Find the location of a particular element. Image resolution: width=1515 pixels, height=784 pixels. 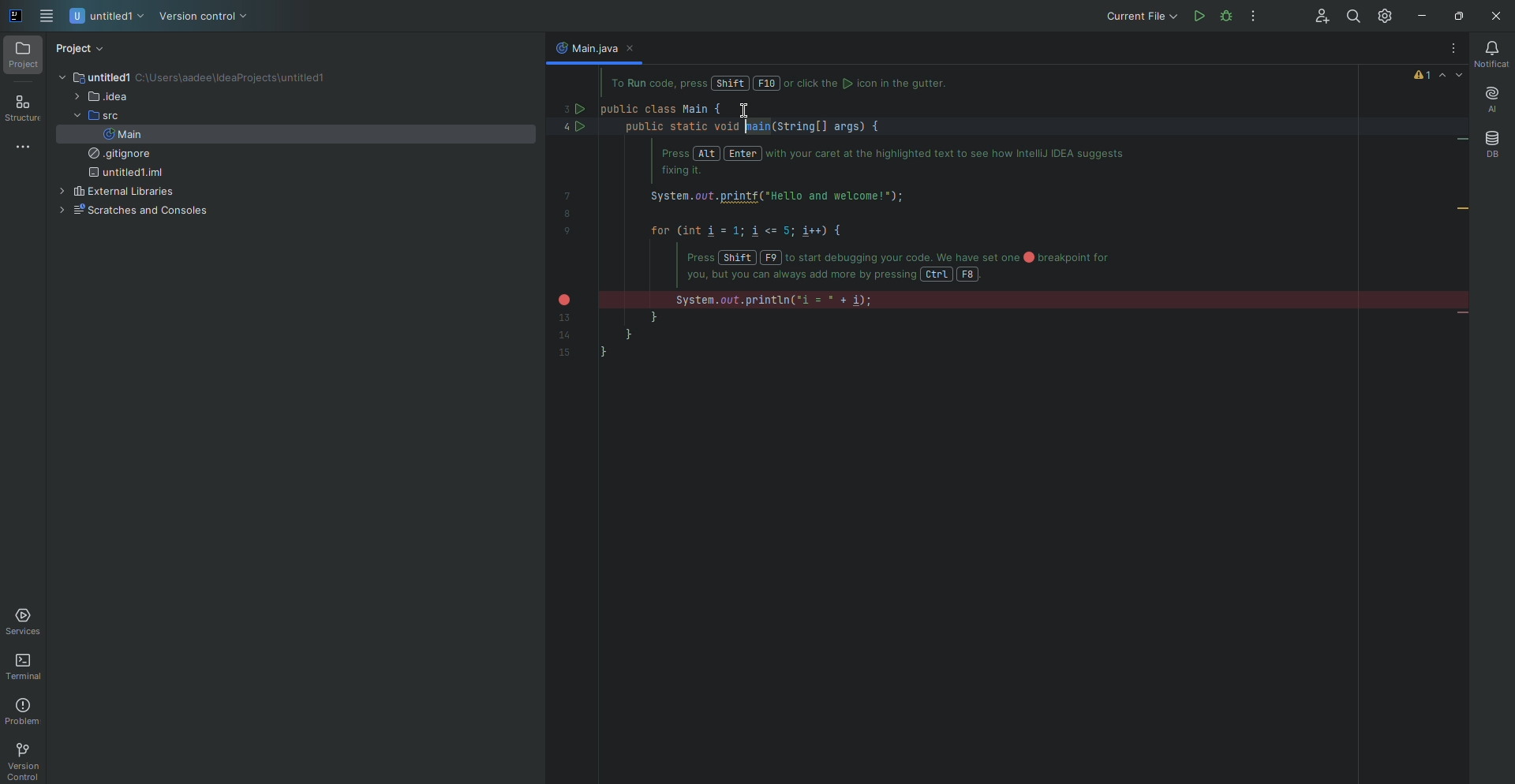

Options is located at coordinates (1254, 17).